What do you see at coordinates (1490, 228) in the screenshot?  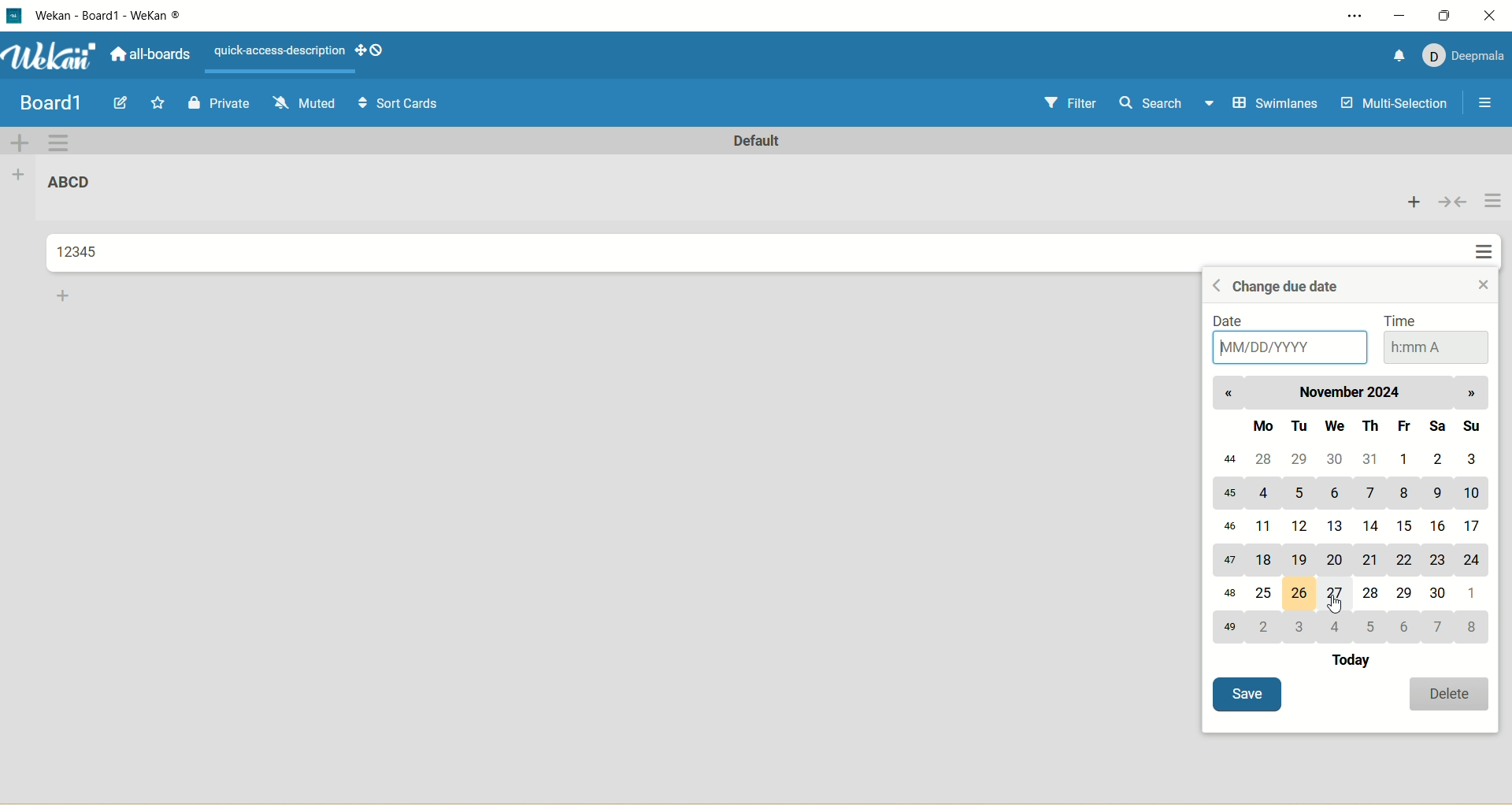 I see `actions` at bounding box center [1490, 228].